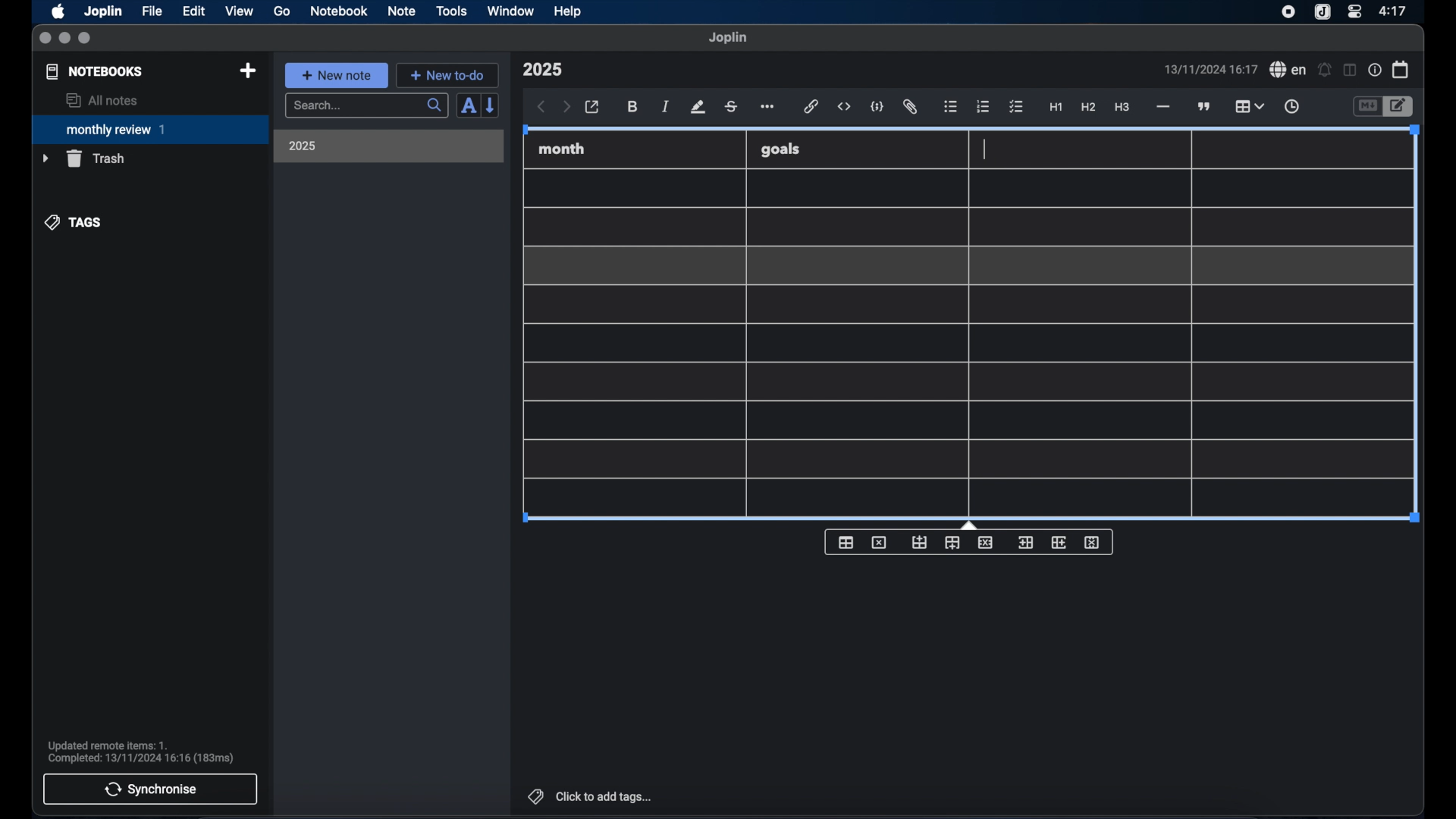  What do you see at coordinates (591, 796) in the screenshot?
I see `click to add tags` at bounding box center [591, 796].